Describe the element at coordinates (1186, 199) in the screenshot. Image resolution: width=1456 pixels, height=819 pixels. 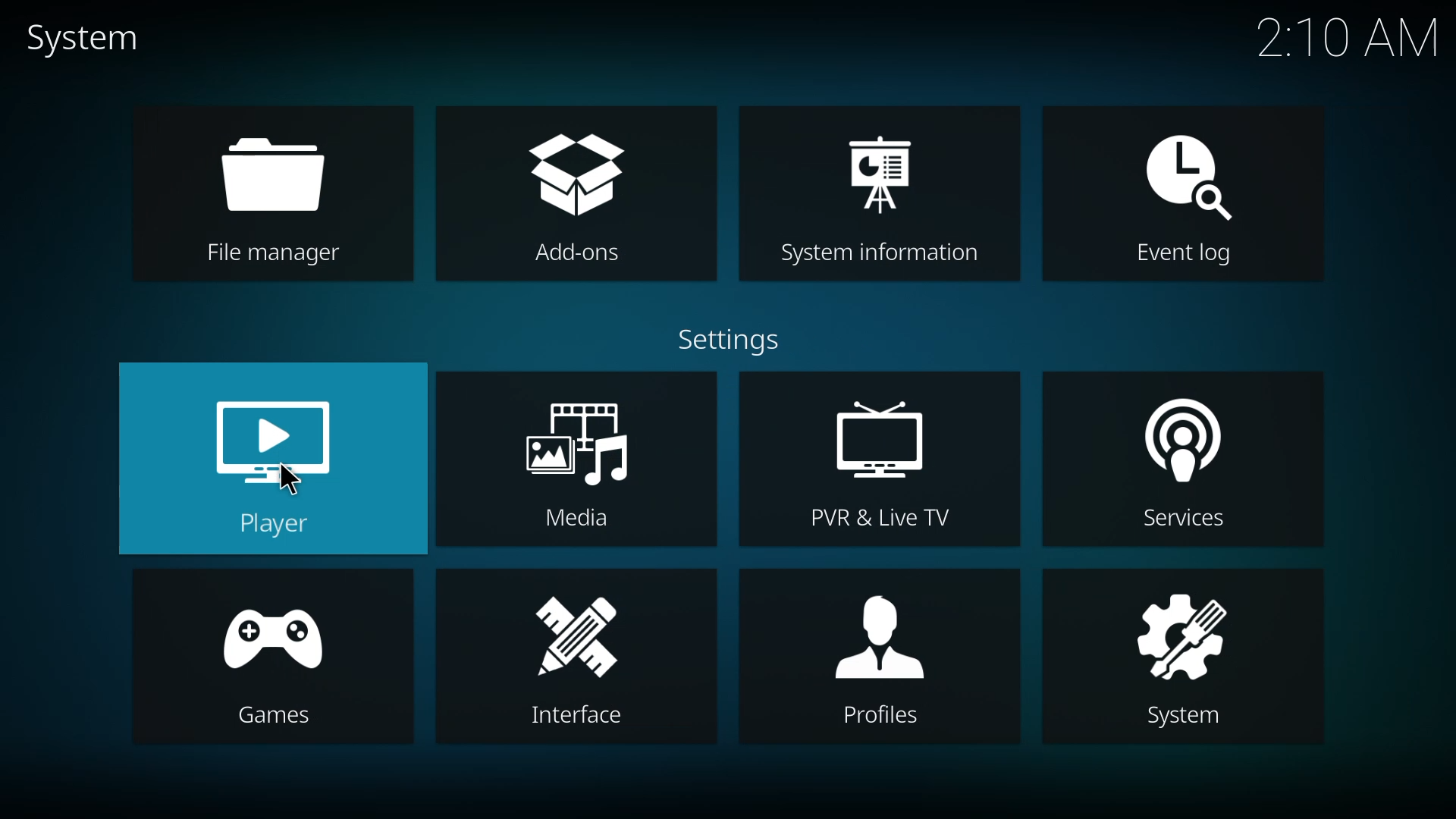
I see `event log` at that location.